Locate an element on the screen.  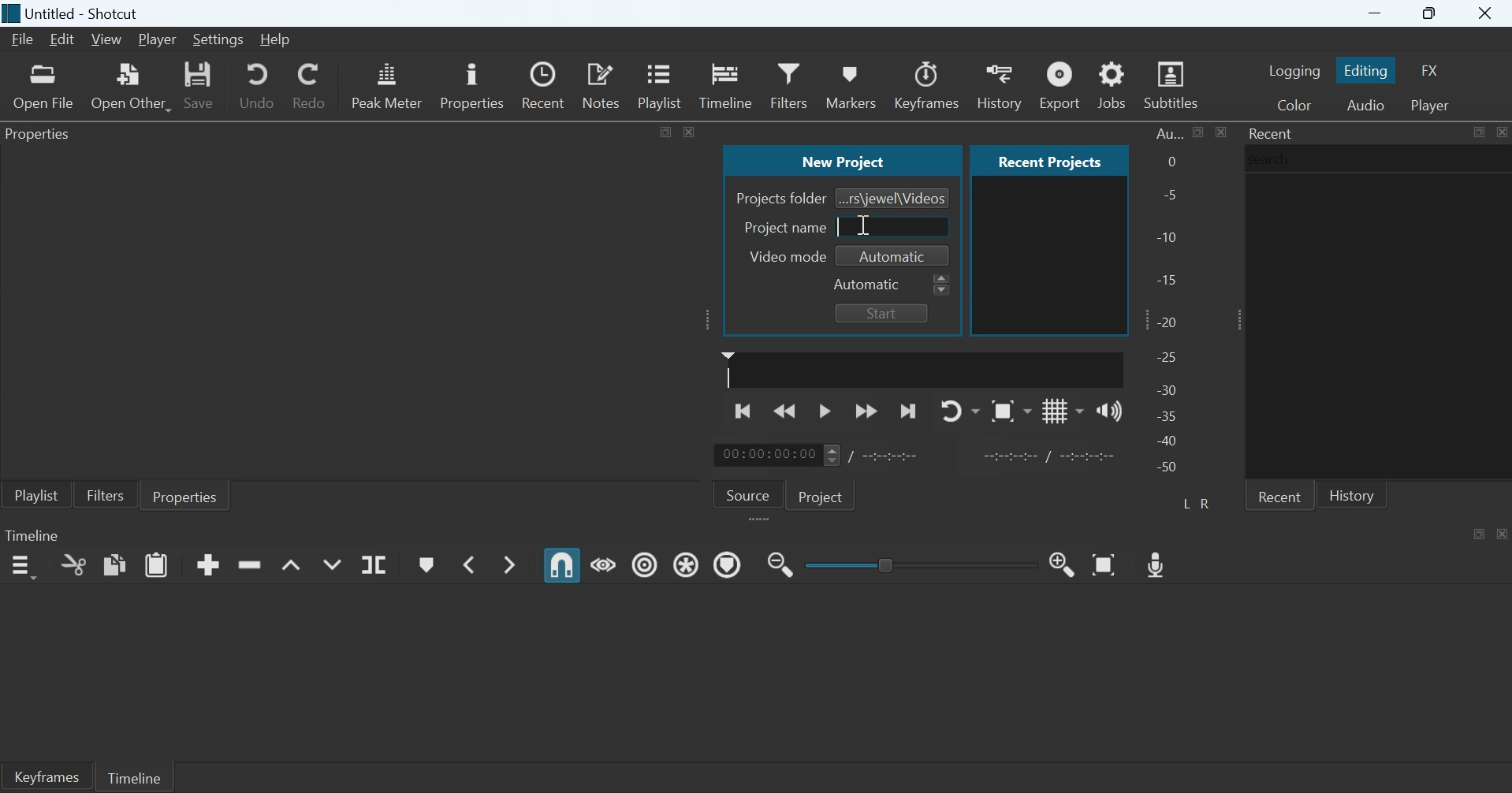
Toggle is located at coordinates (888, 563).